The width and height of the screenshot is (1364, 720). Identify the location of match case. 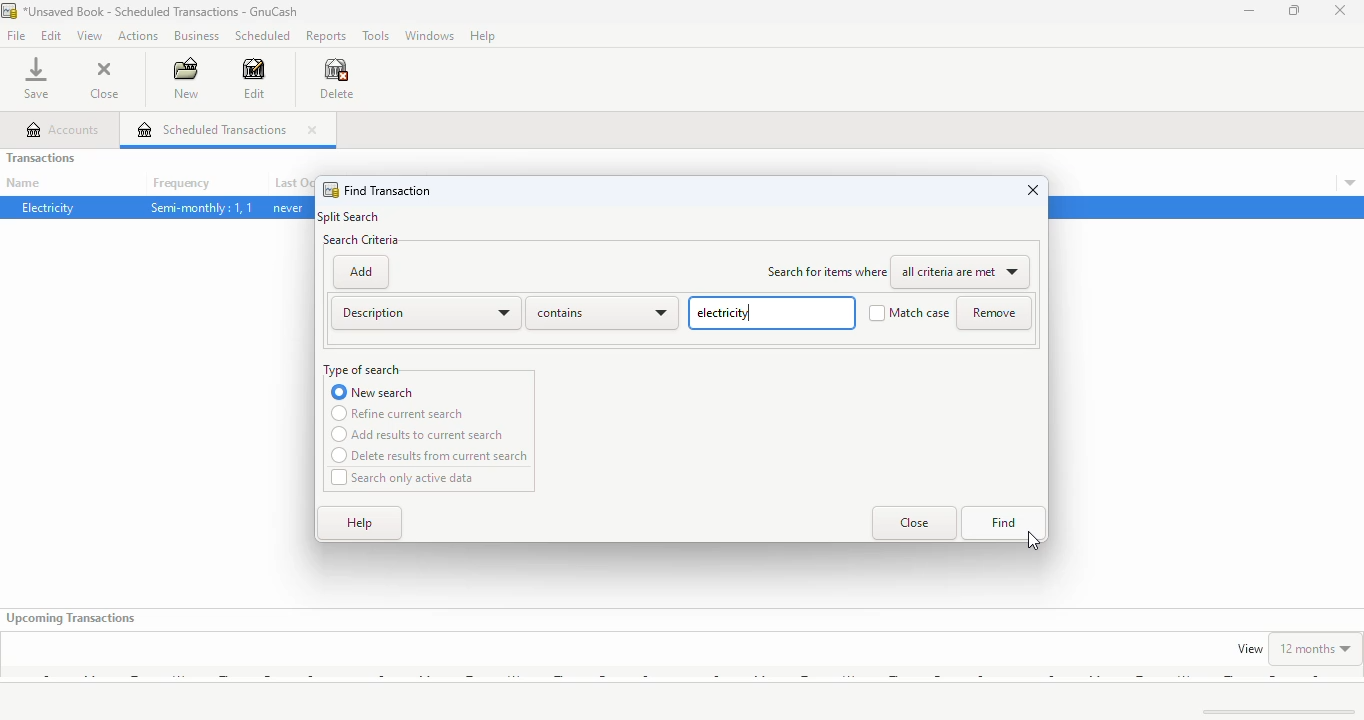
(909, 313).